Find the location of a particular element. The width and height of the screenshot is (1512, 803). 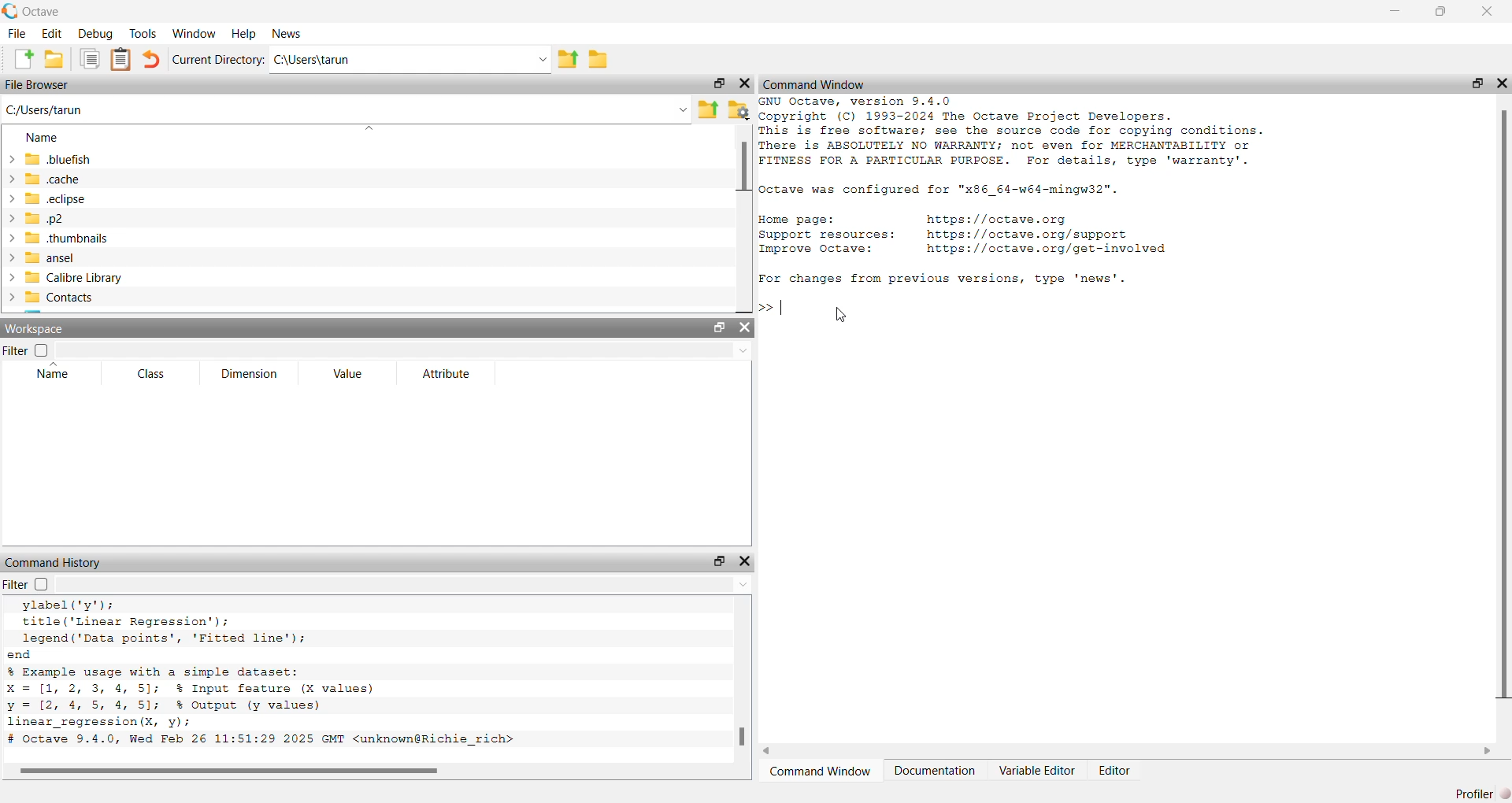

hide widget is located at coordinates (746, 561).